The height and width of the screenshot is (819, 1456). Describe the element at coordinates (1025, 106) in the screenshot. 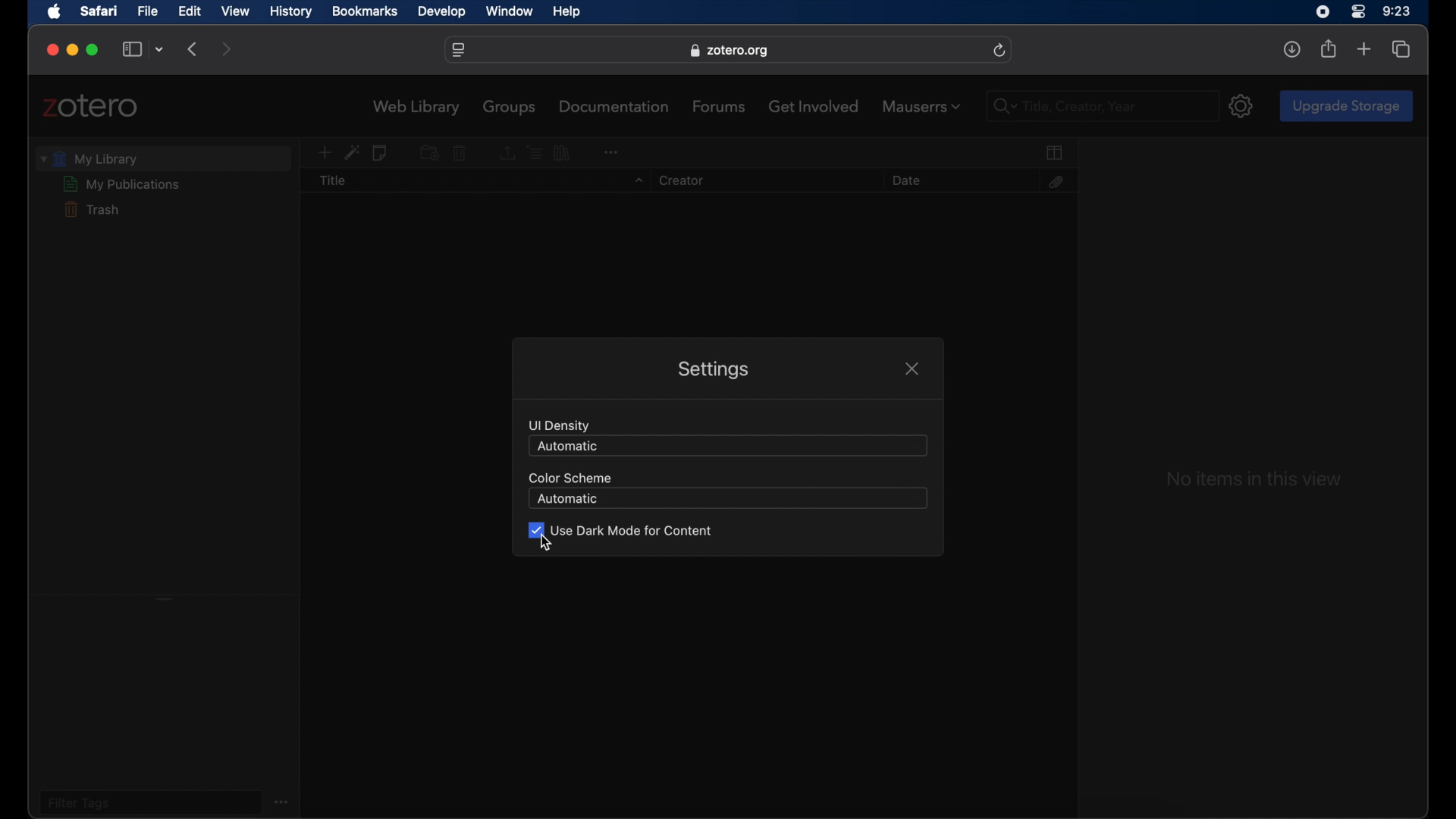

I see `text cursor` at that location.